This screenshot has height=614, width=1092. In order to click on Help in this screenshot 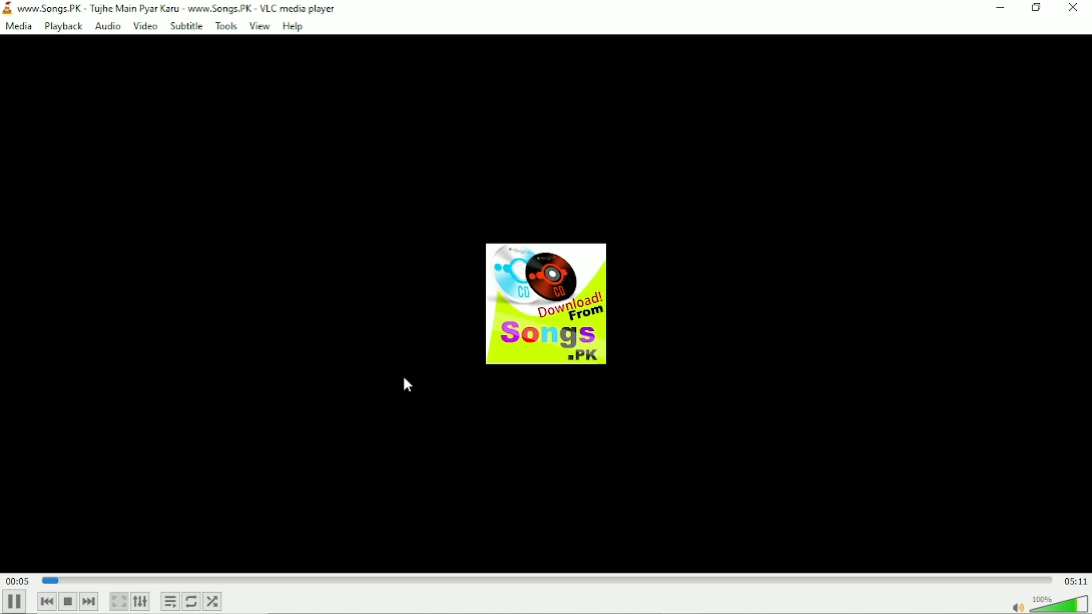, I will do `click(292, 26)`.